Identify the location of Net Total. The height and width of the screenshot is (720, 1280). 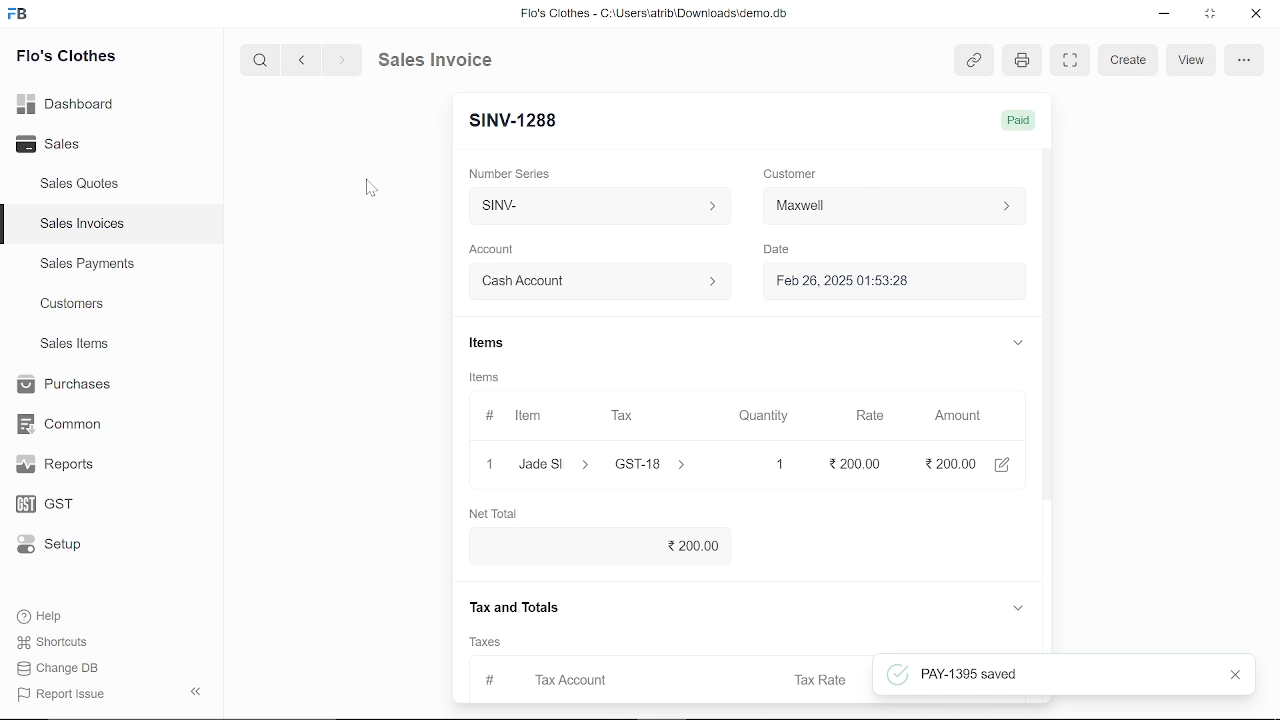
(499, 512).